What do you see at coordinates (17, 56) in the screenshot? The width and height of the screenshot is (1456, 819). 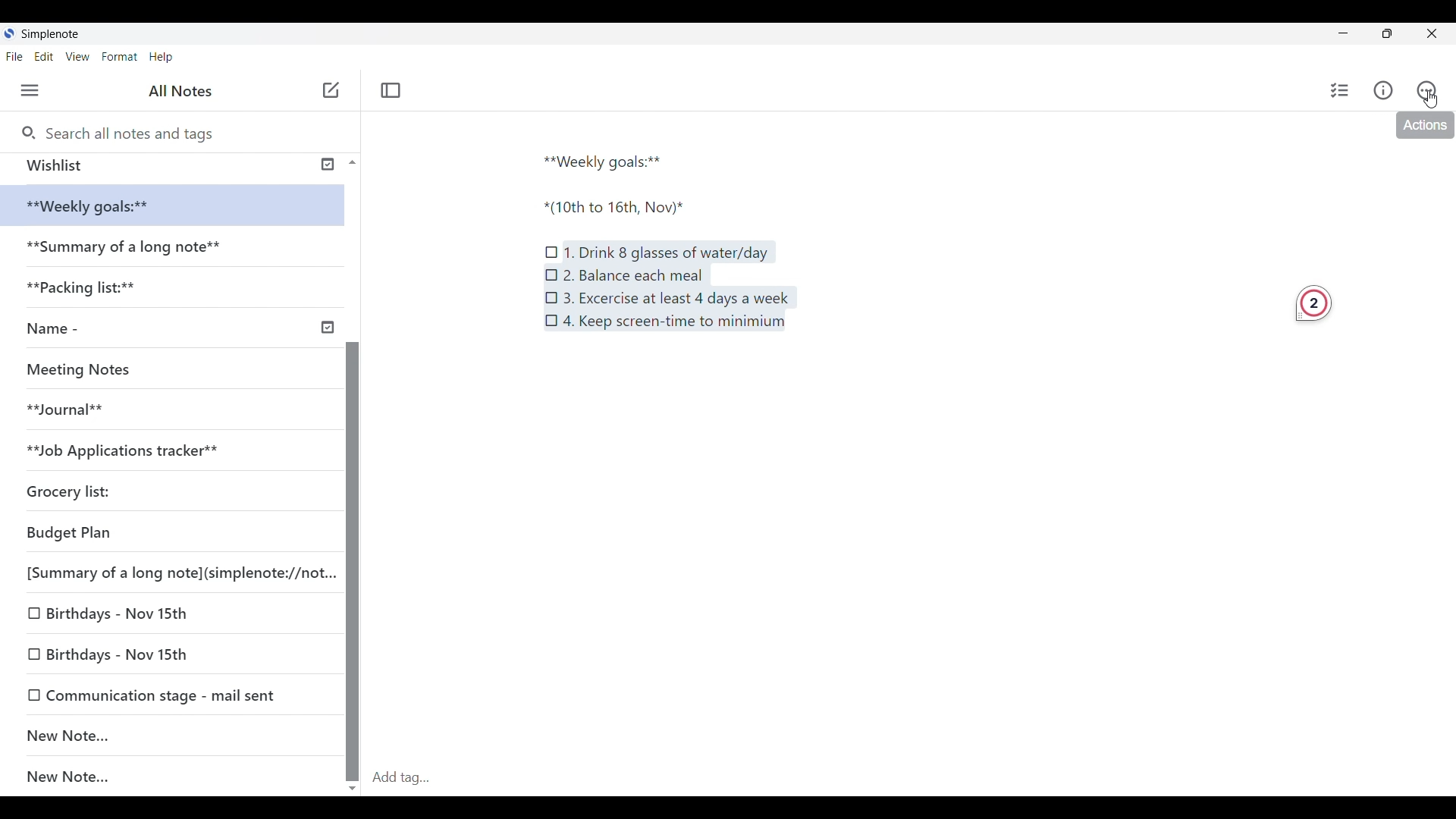 I see `File` at bounding box center [17, 56].